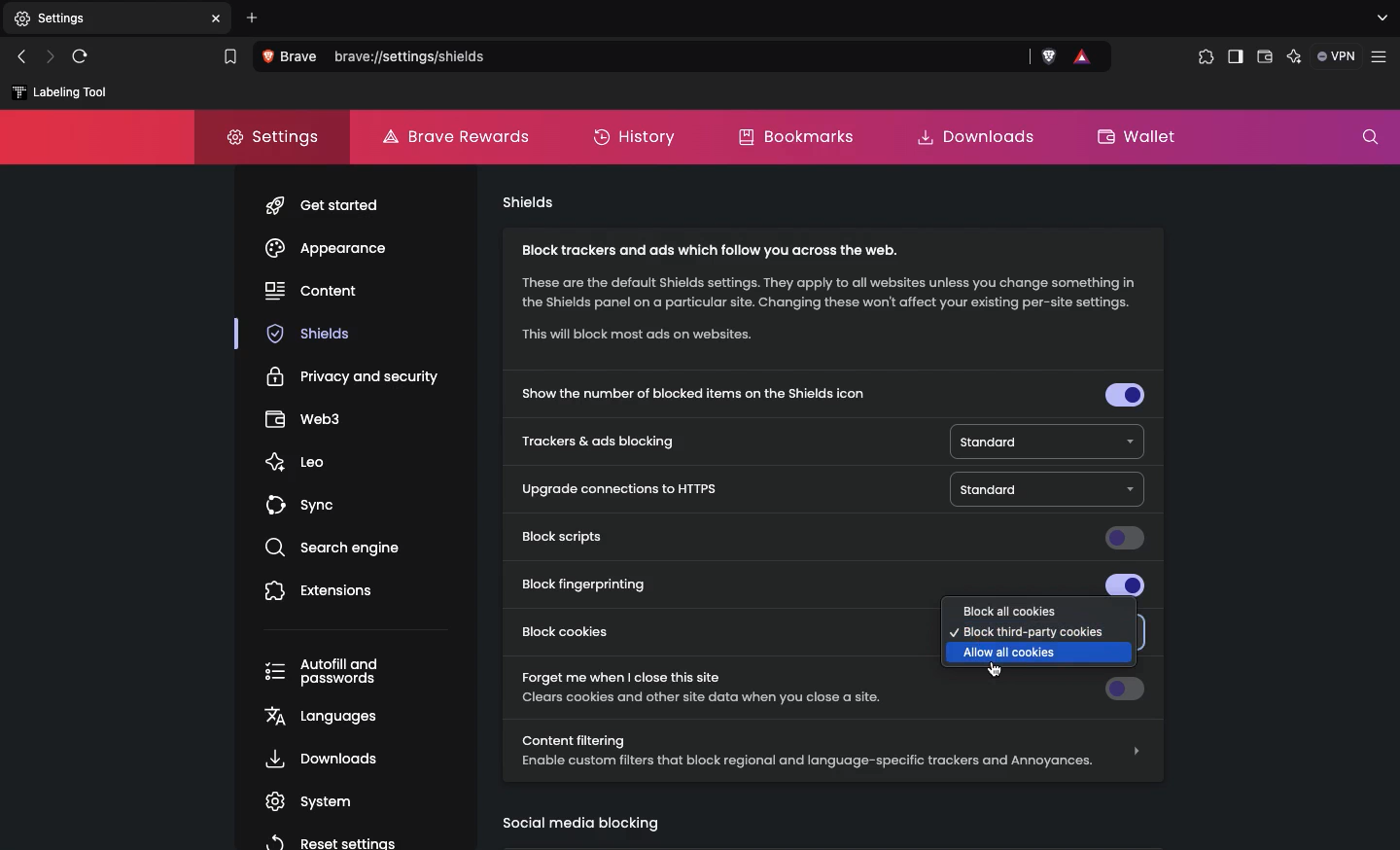  Describe the element at coordinates (1382, 55) in the screenshot. I see `customize and control brave` at that location.